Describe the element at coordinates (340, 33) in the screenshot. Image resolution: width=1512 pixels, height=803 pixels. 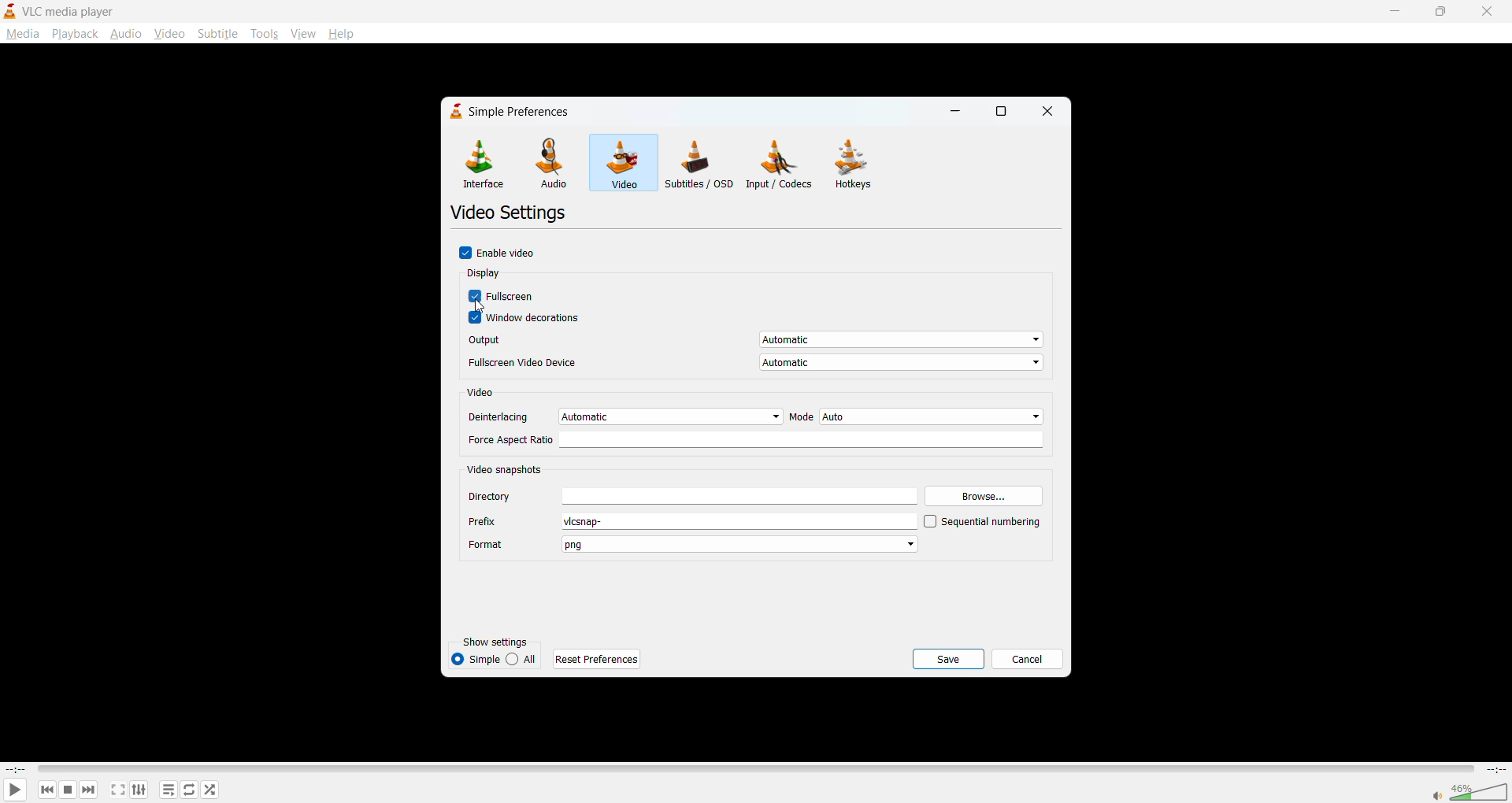
I see `help` at that location.